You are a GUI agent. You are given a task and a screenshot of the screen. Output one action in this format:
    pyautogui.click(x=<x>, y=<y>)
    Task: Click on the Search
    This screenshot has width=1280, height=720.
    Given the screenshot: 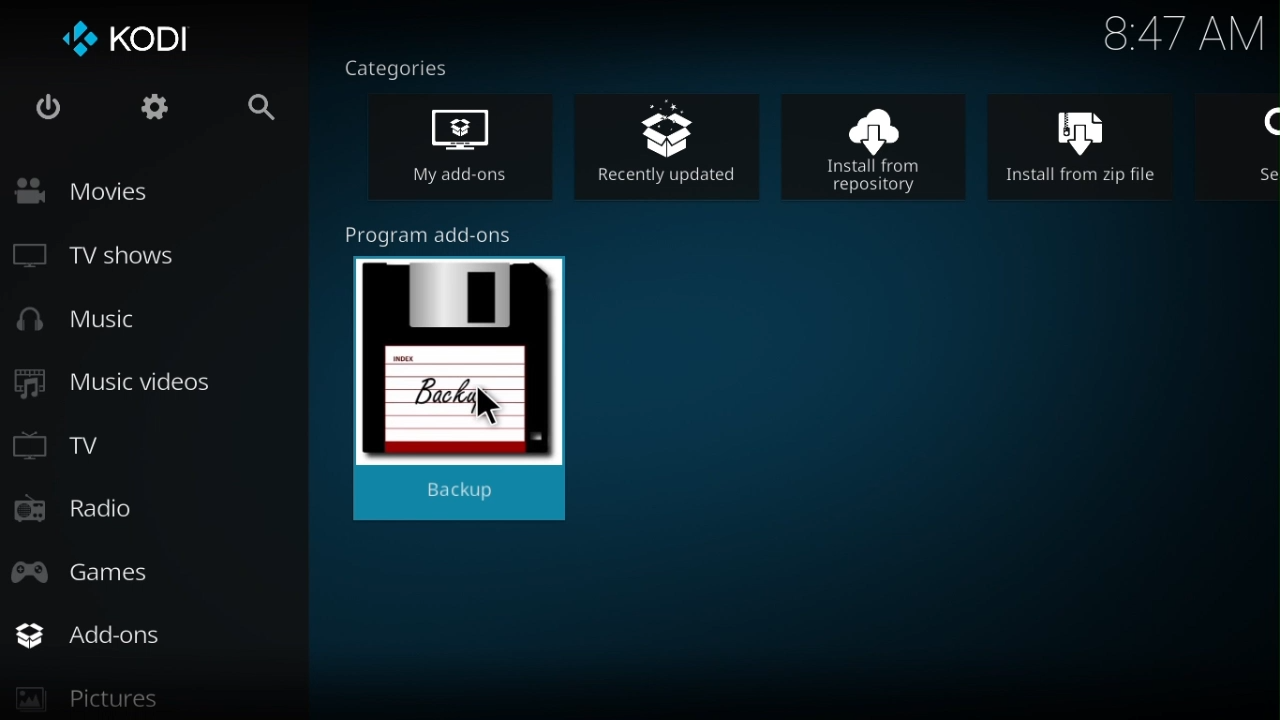 What is the action you would take?
    pyautogui.click(x=246, y=110)
    